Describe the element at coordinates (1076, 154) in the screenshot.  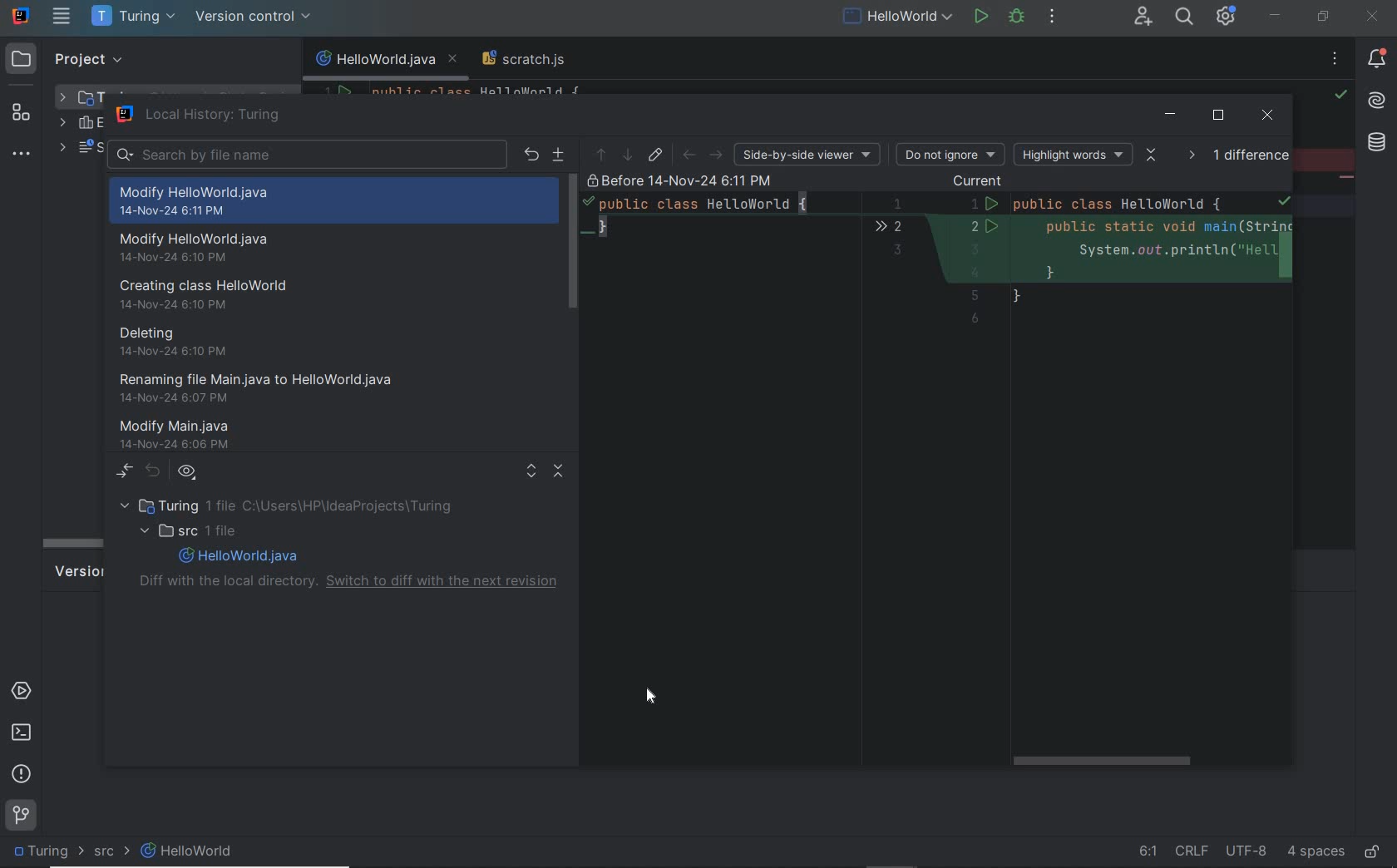
I see `highlight words` at that location.